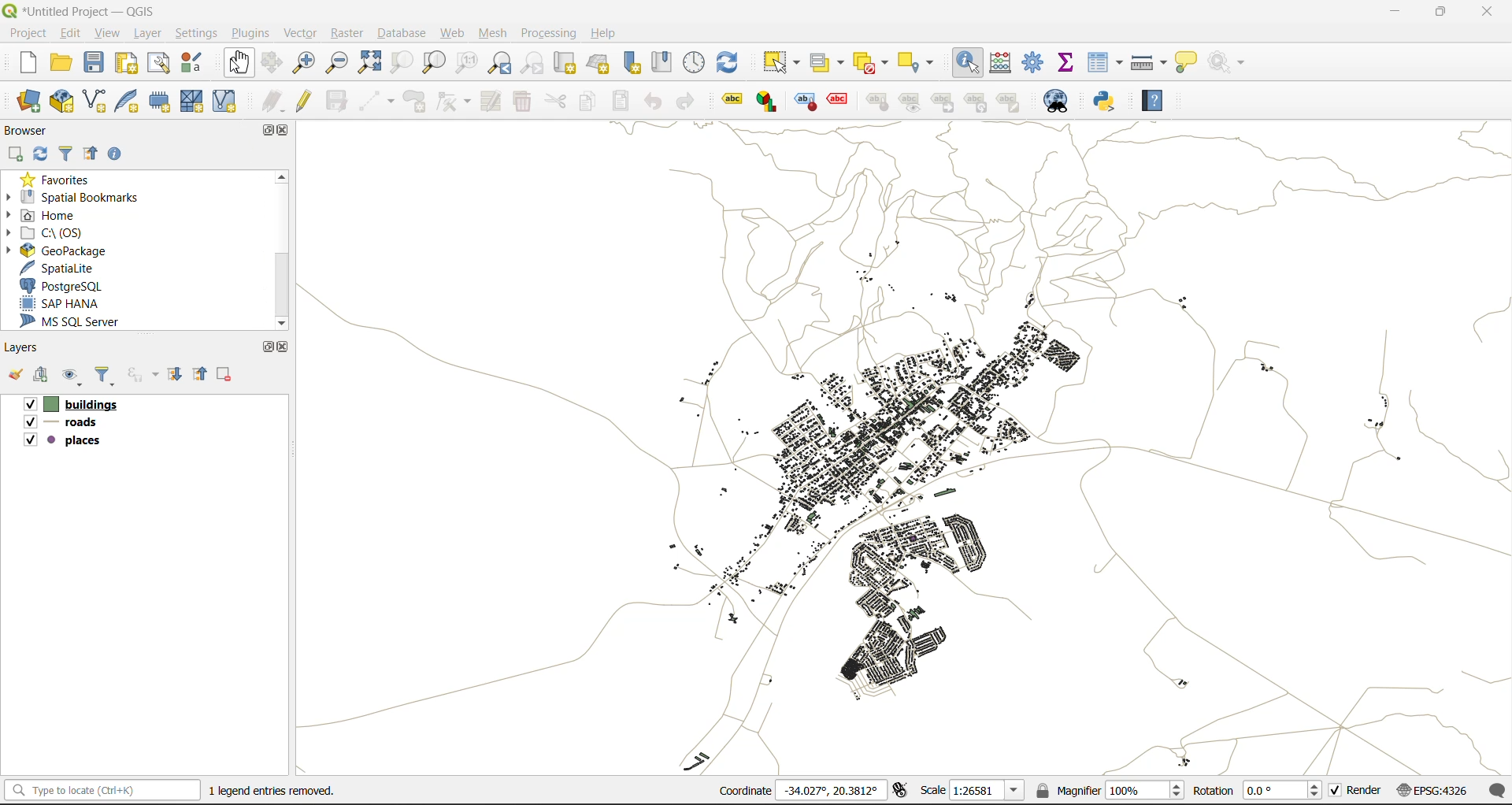 This screenshot has height=805, width=1512. I want to click on zoom out, so click(338, 63).